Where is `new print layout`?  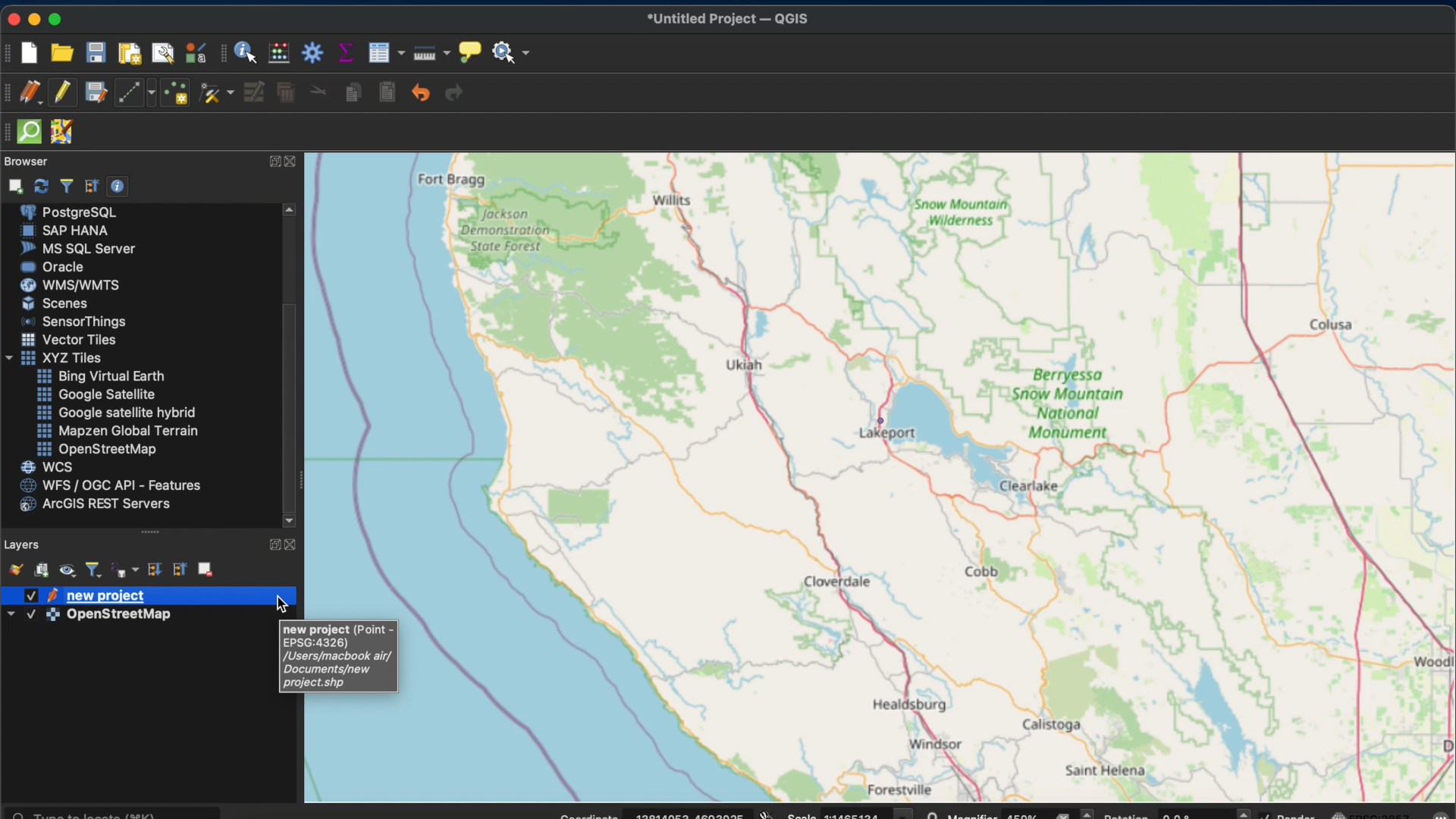
new print layout is located at coordinates (130, 52).